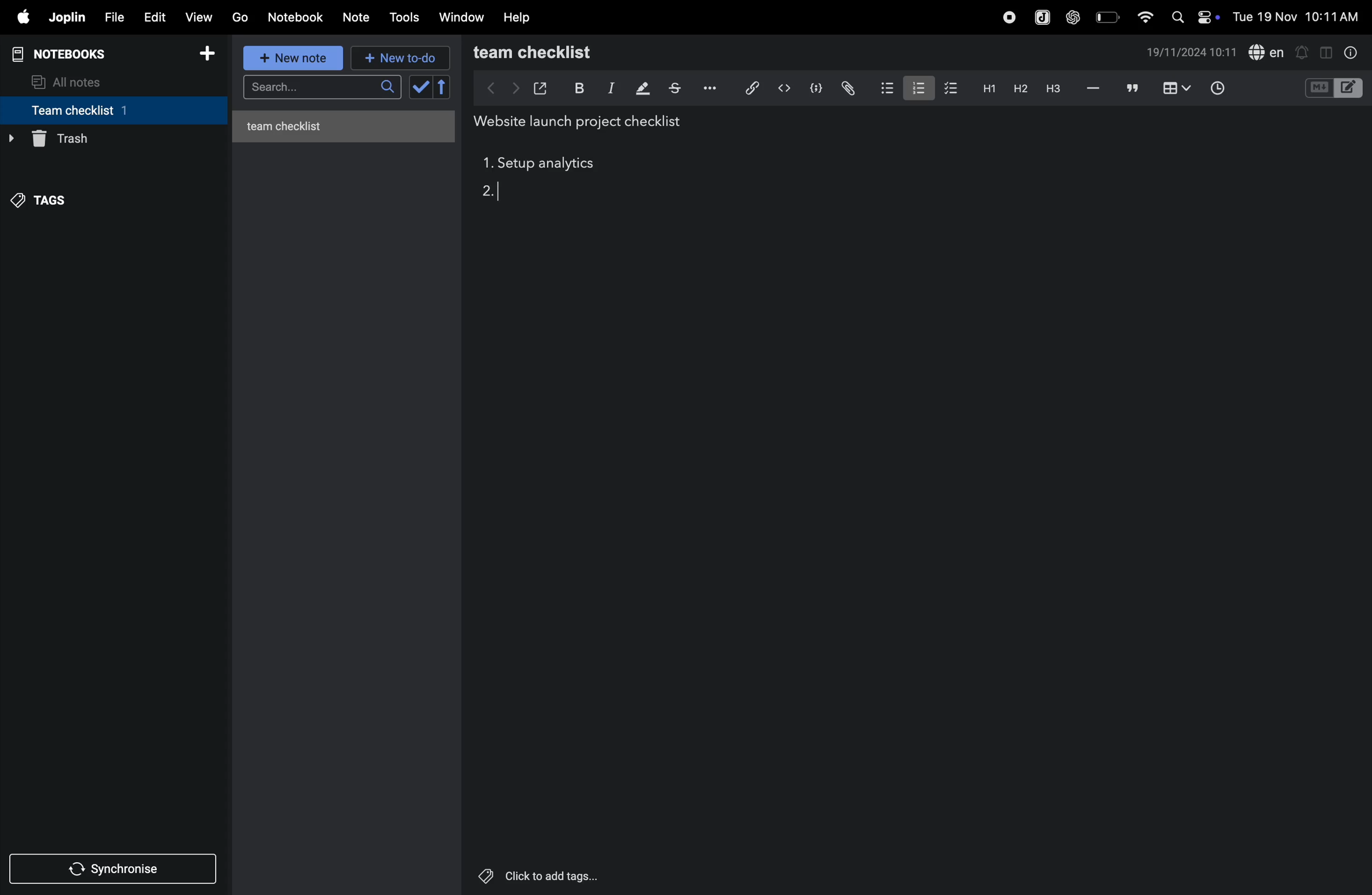  I want to click on on/off, so click(1211, 17).